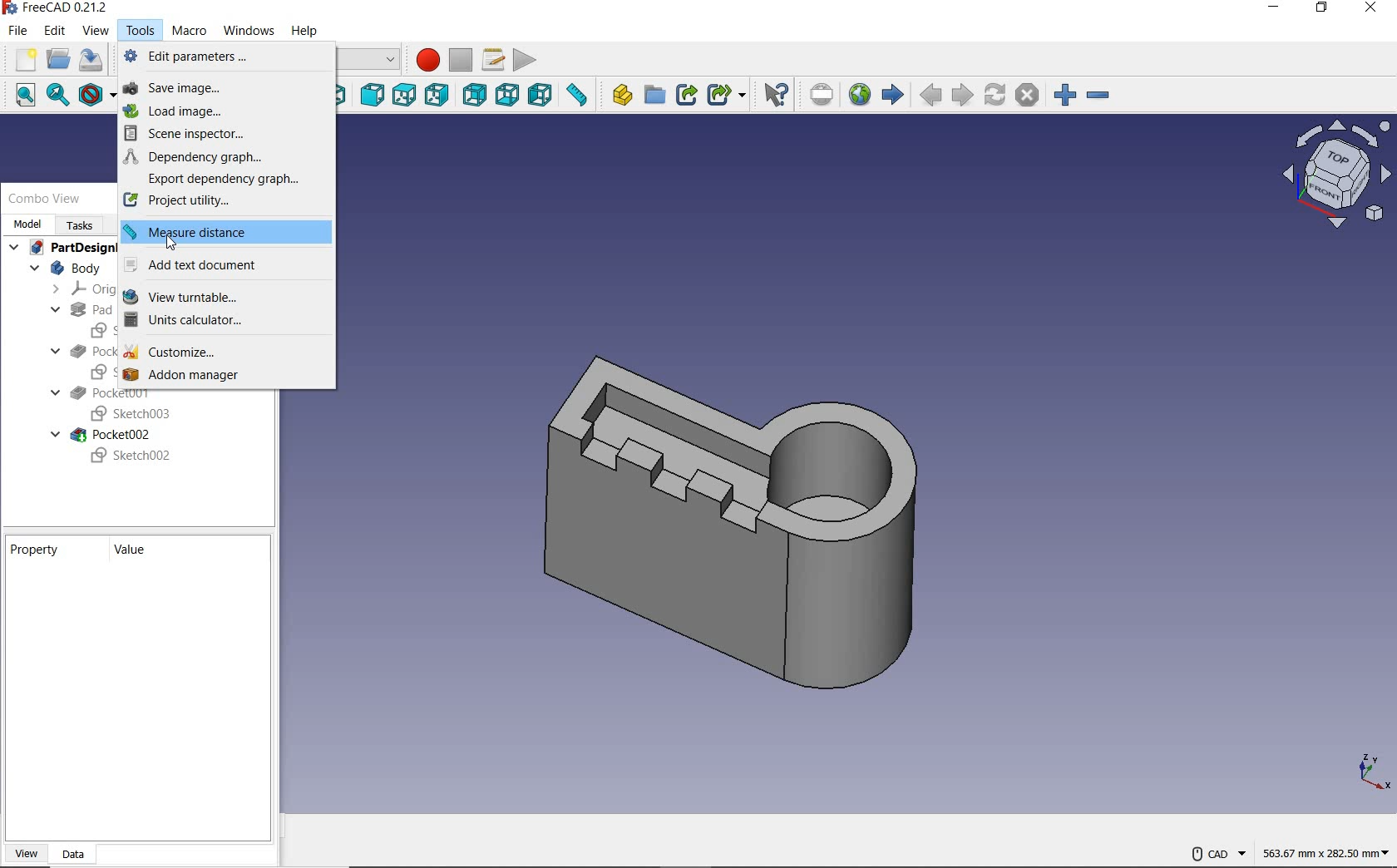 This screenshot has width=1397, height=868. I want to click on open website, so click(859, 94).